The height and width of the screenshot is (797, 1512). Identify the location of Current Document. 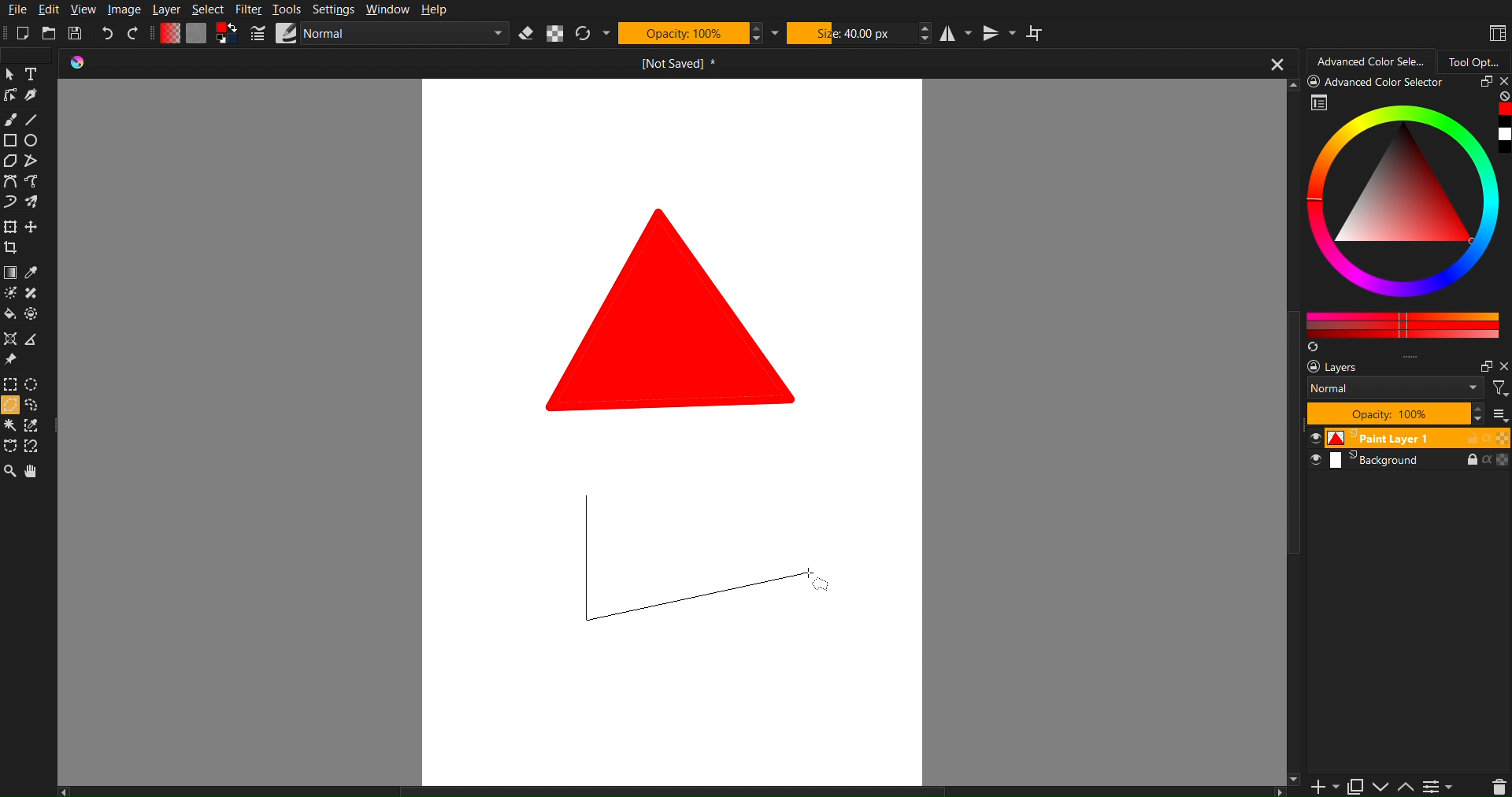
(676, 65).